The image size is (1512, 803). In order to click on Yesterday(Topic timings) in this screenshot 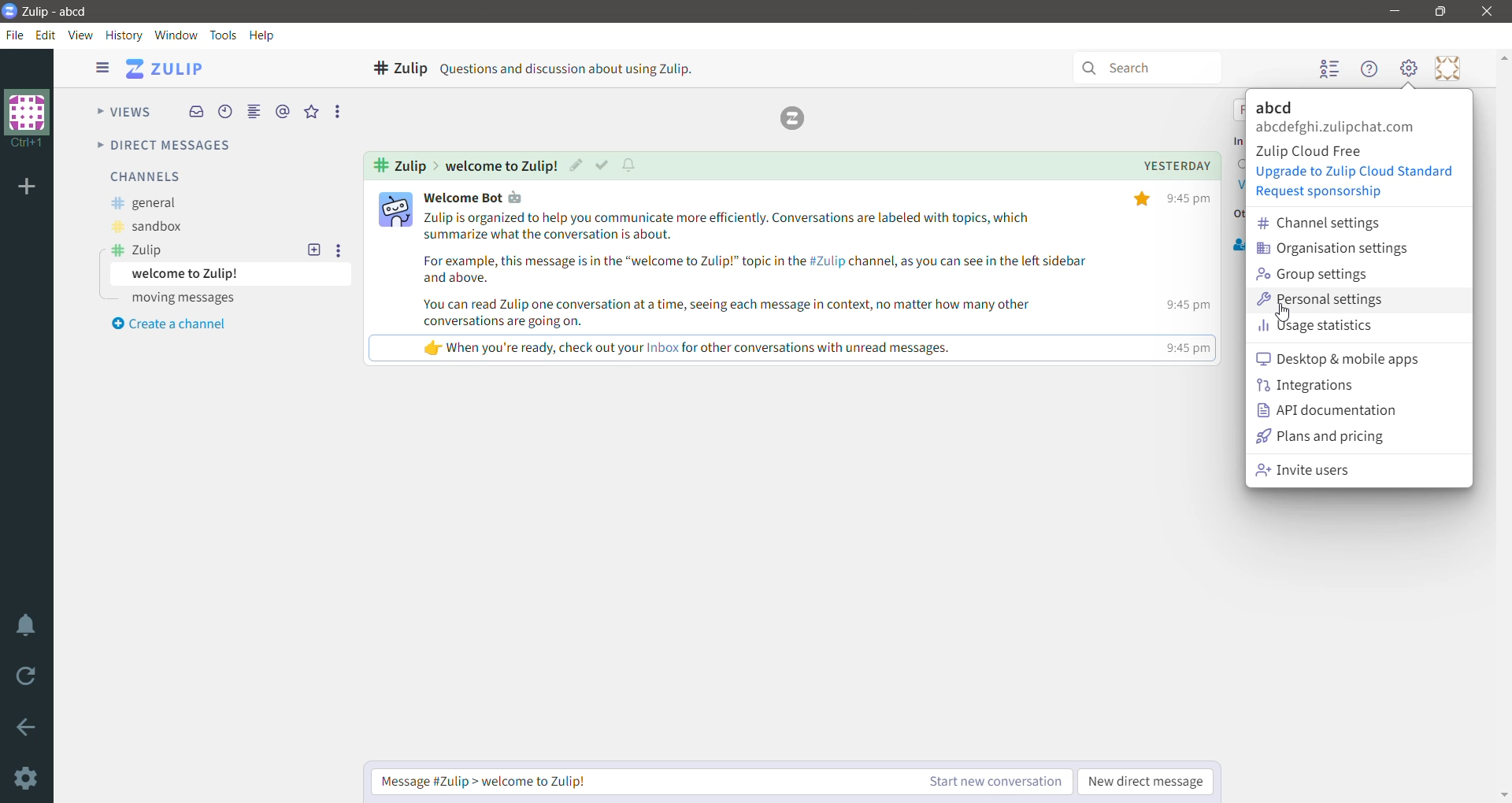, I will do `click(1180, 166)`.